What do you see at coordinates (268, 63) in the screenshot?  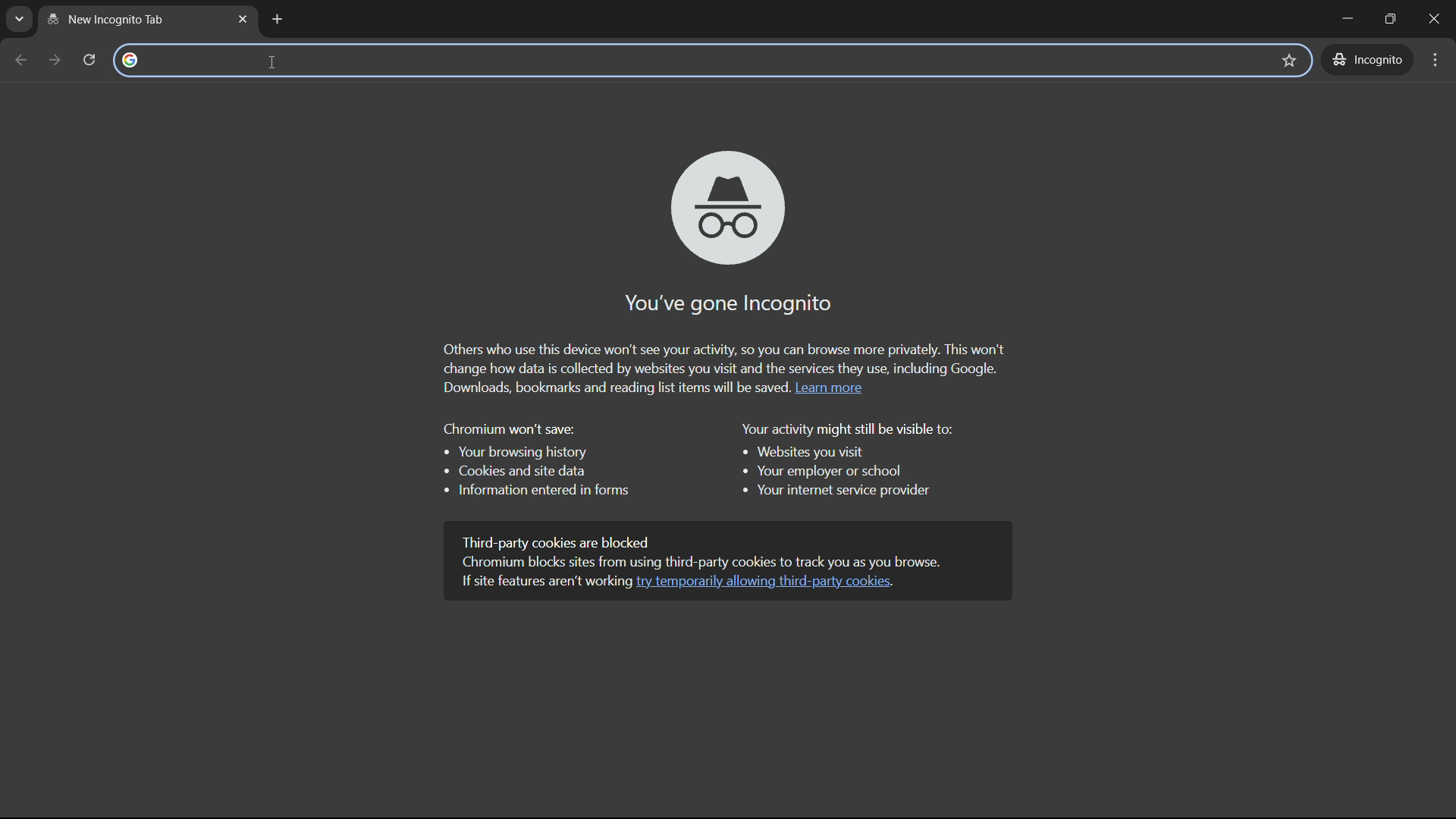 I see `cursor` at bounding box center [268, 63].